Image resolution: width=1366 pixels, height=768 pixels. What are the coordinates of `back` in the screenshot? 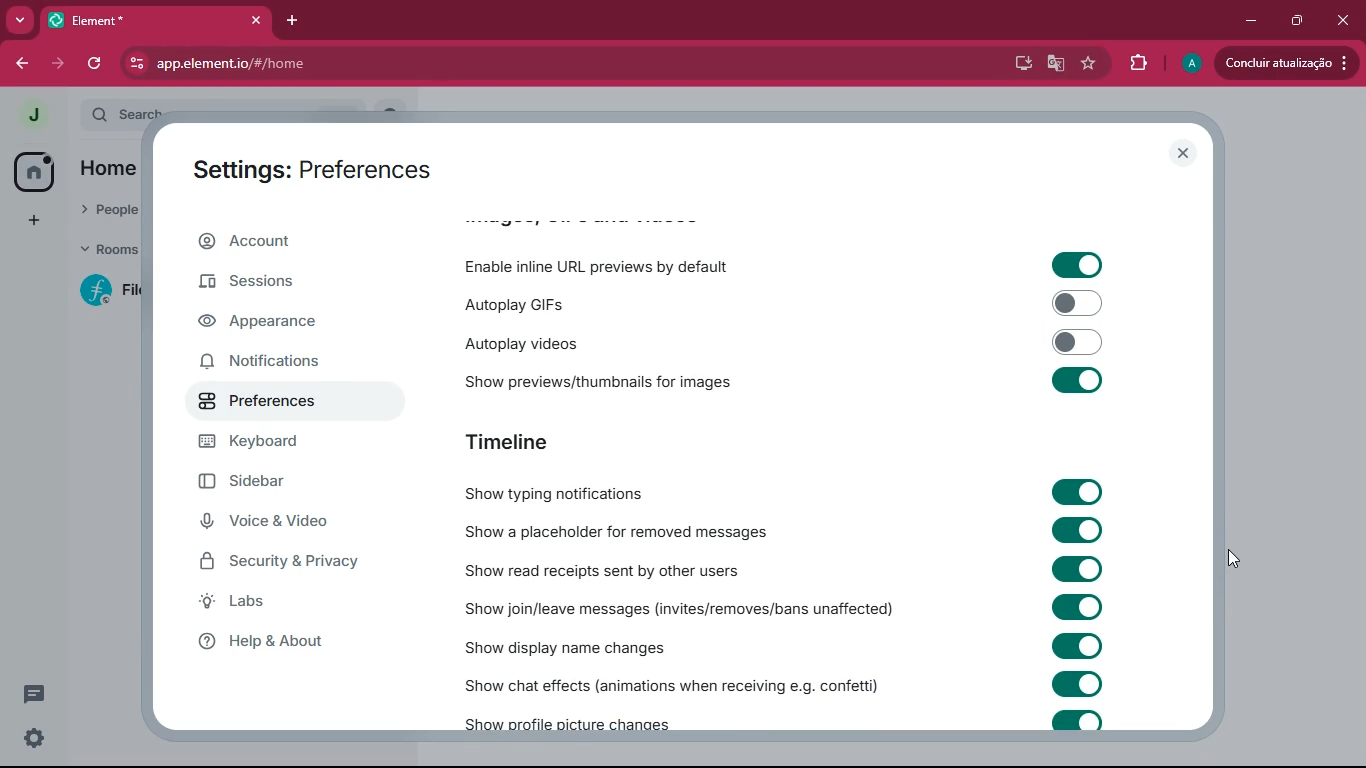 It's located at (16, 65).